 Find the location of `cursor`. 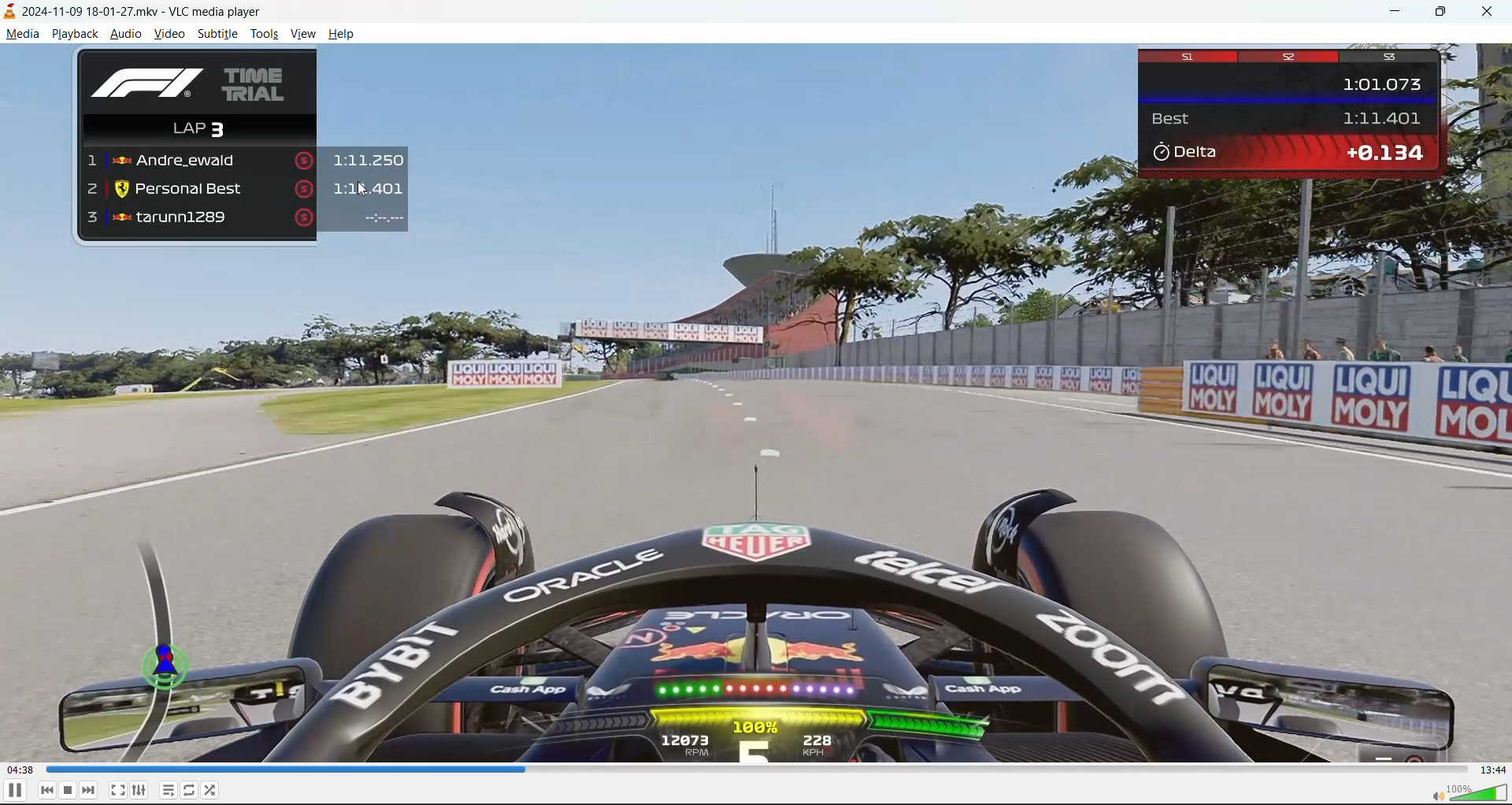

cursor is located at coordinates (367, 191).